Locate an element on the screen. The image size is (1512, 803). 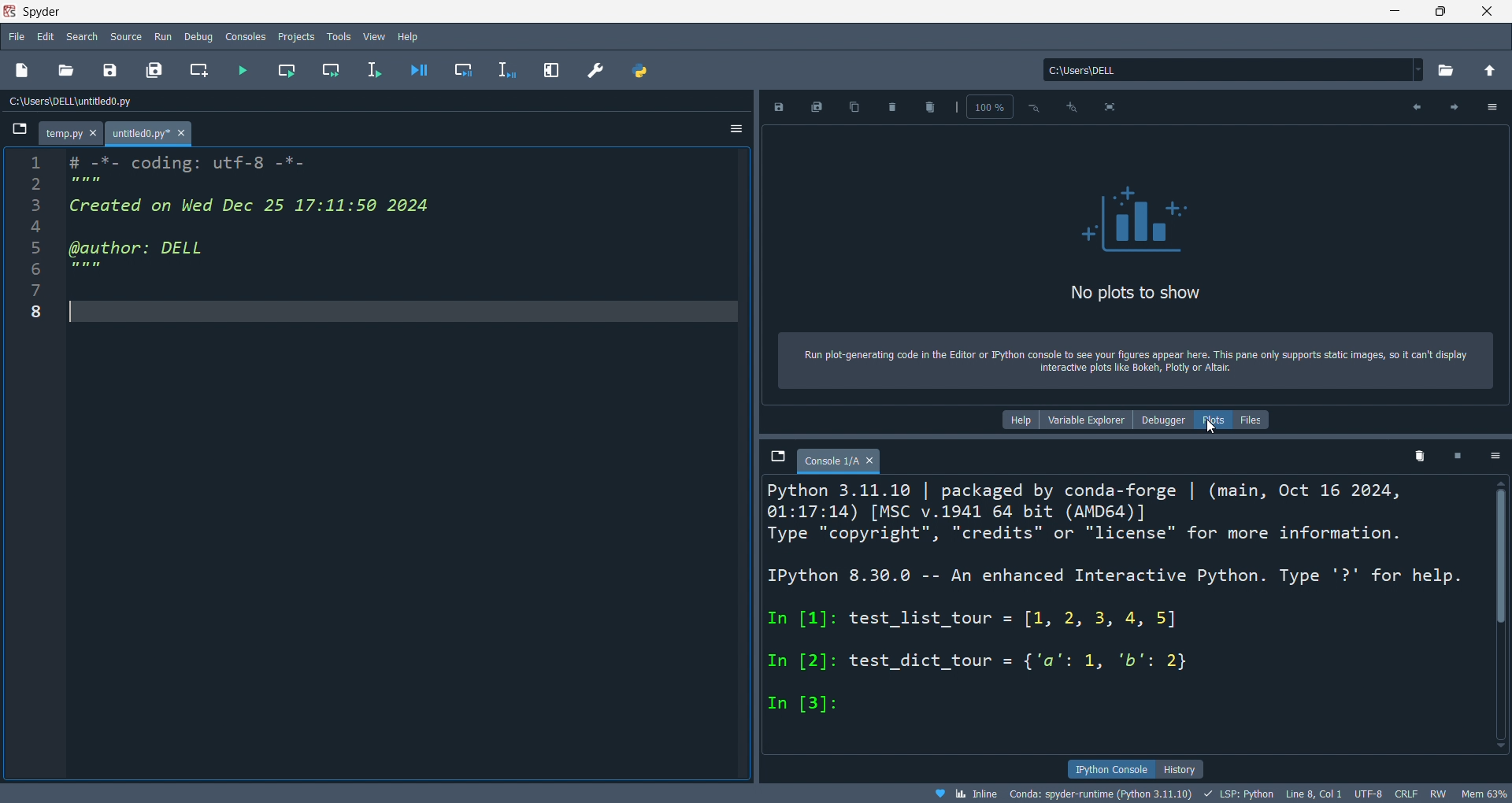
language is located at coordinates (1235, 794).